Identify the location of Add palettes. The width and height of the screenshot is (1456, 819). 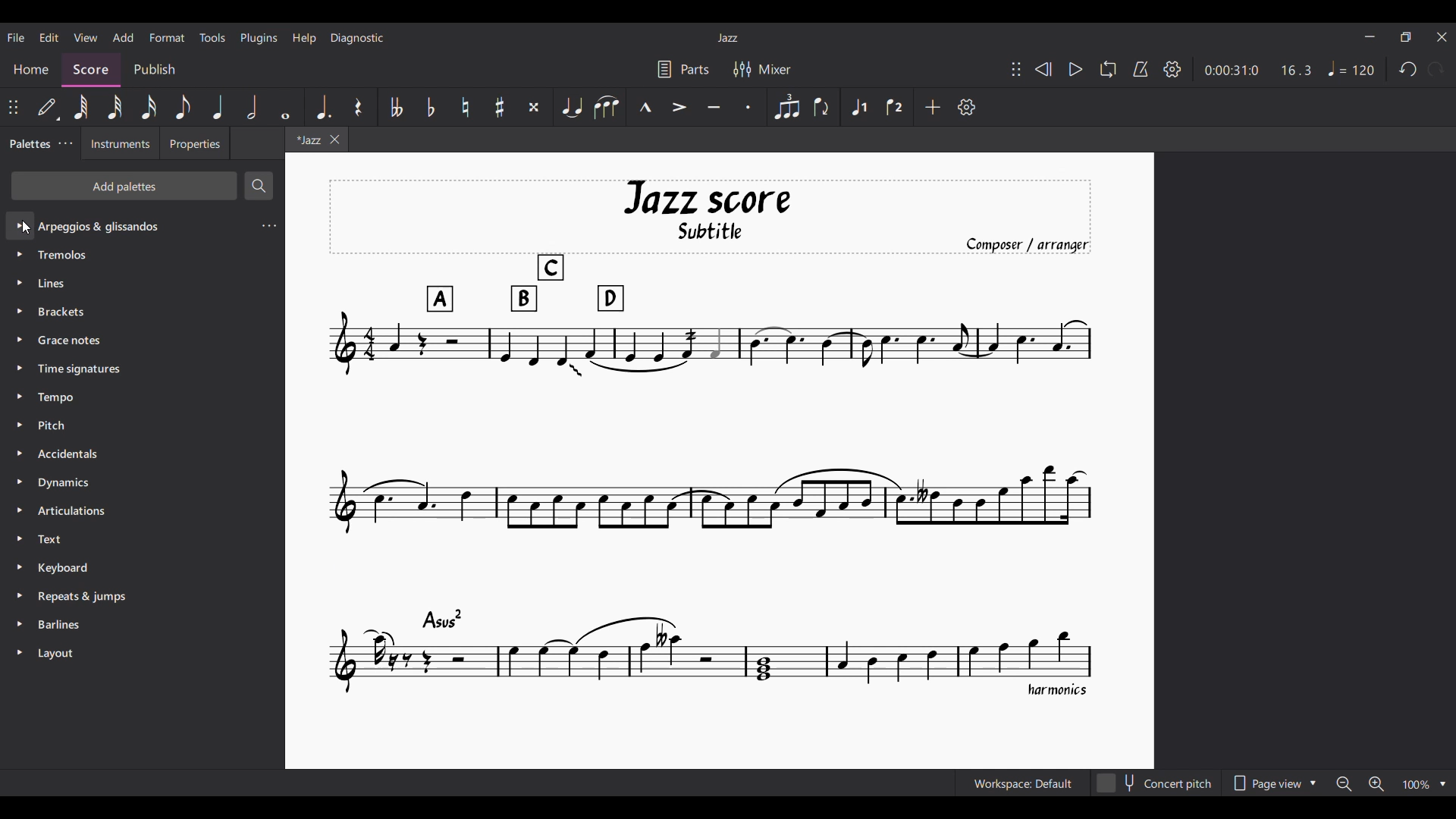
(124, 186).